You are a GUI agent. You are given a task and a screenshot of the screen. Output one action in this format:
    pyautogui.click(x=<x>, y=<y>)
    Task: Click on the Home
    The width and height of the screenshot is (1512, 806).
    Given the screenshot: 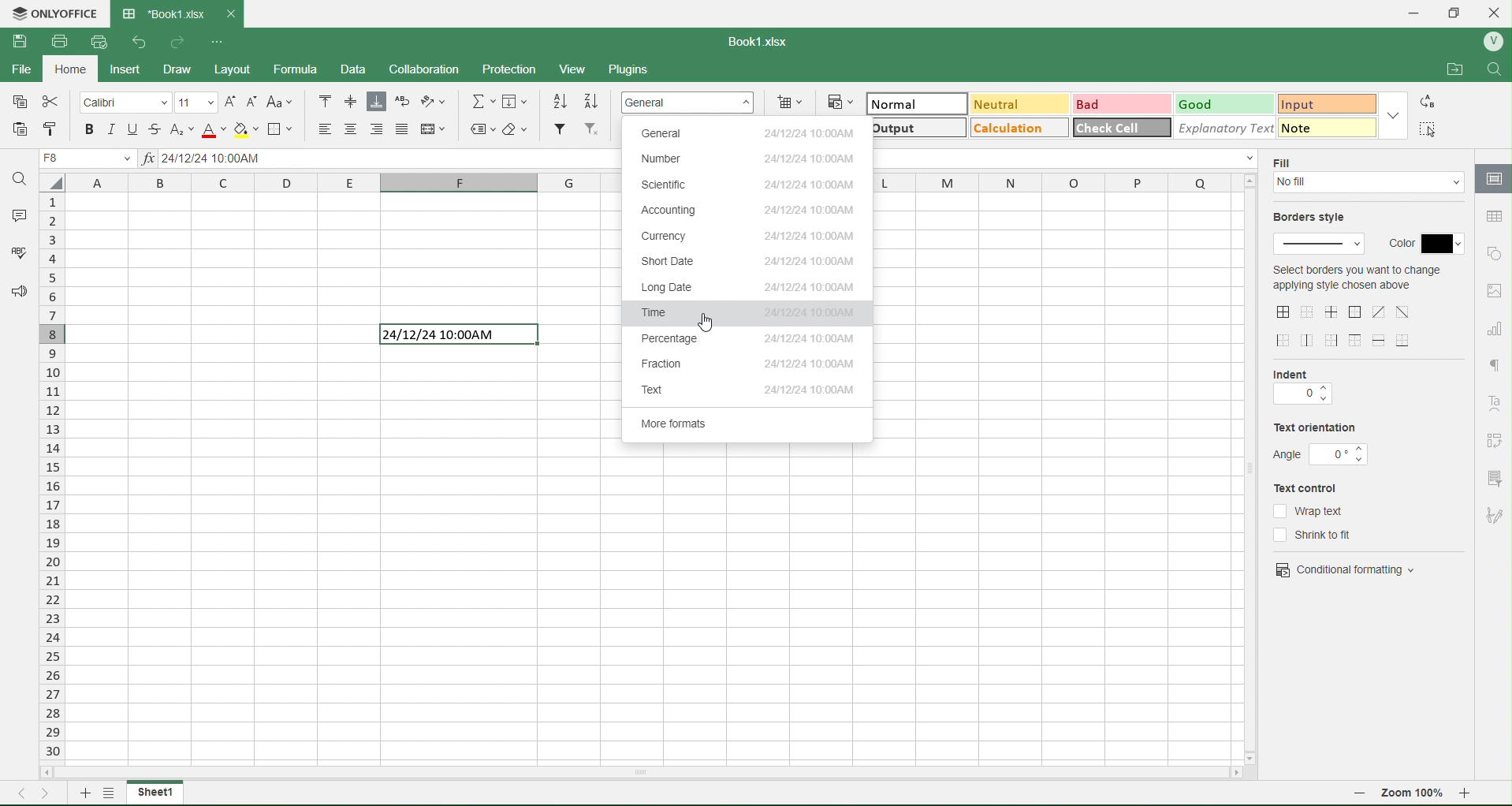 What is the action you would take?
    pyautogui.click(x=76, y=72)
    